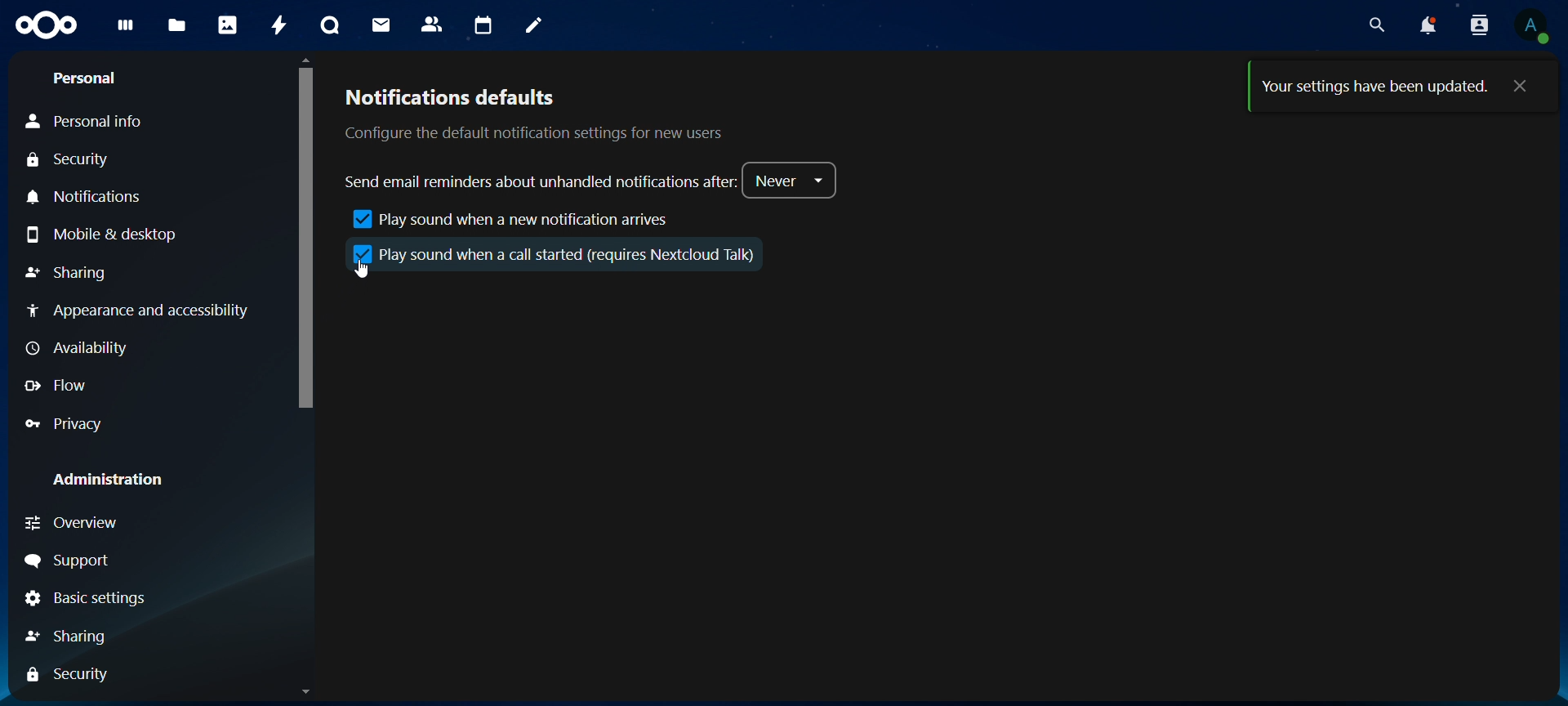 The image size is (1568, 706). What do you see at coordinates (361, 253) in the screenshot?
I see `icon` at bounding box center [361, 253].